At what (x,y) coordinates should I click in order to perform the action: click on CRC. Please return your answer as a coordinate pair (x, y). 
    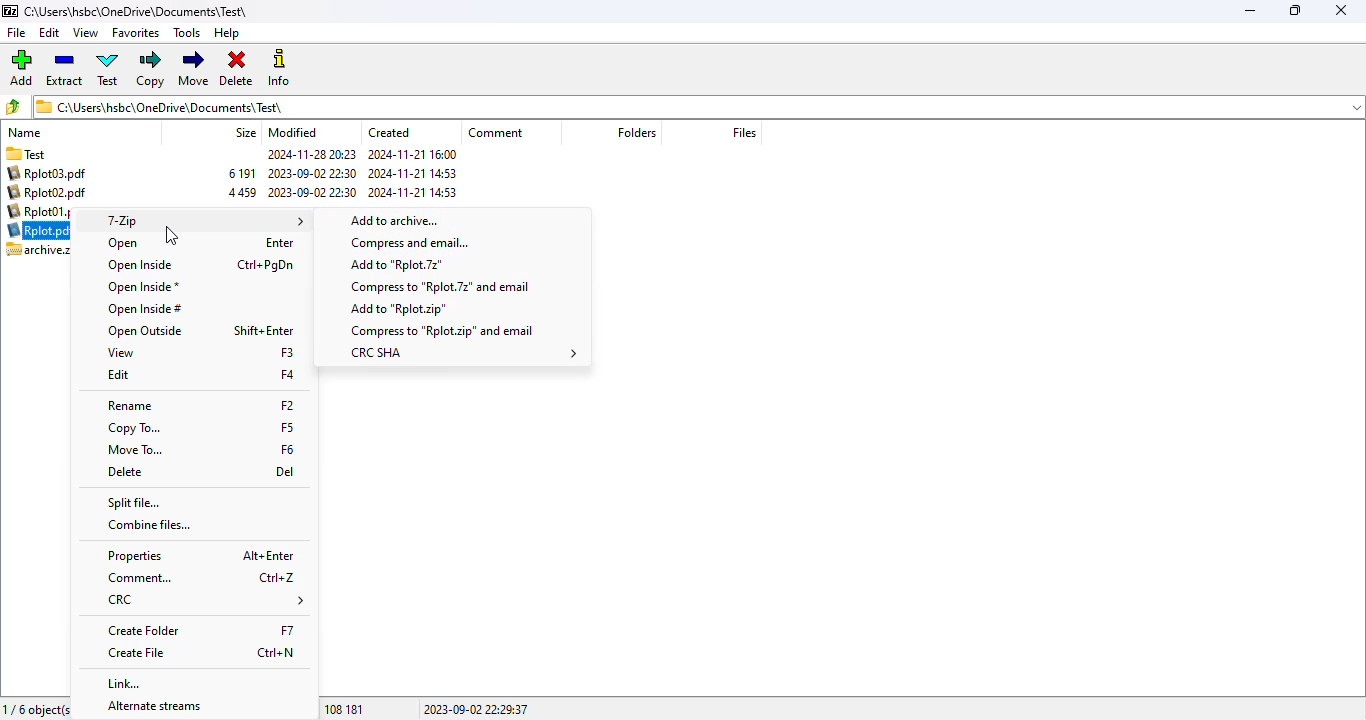
    Looking at the image, I should click on (206, 601).